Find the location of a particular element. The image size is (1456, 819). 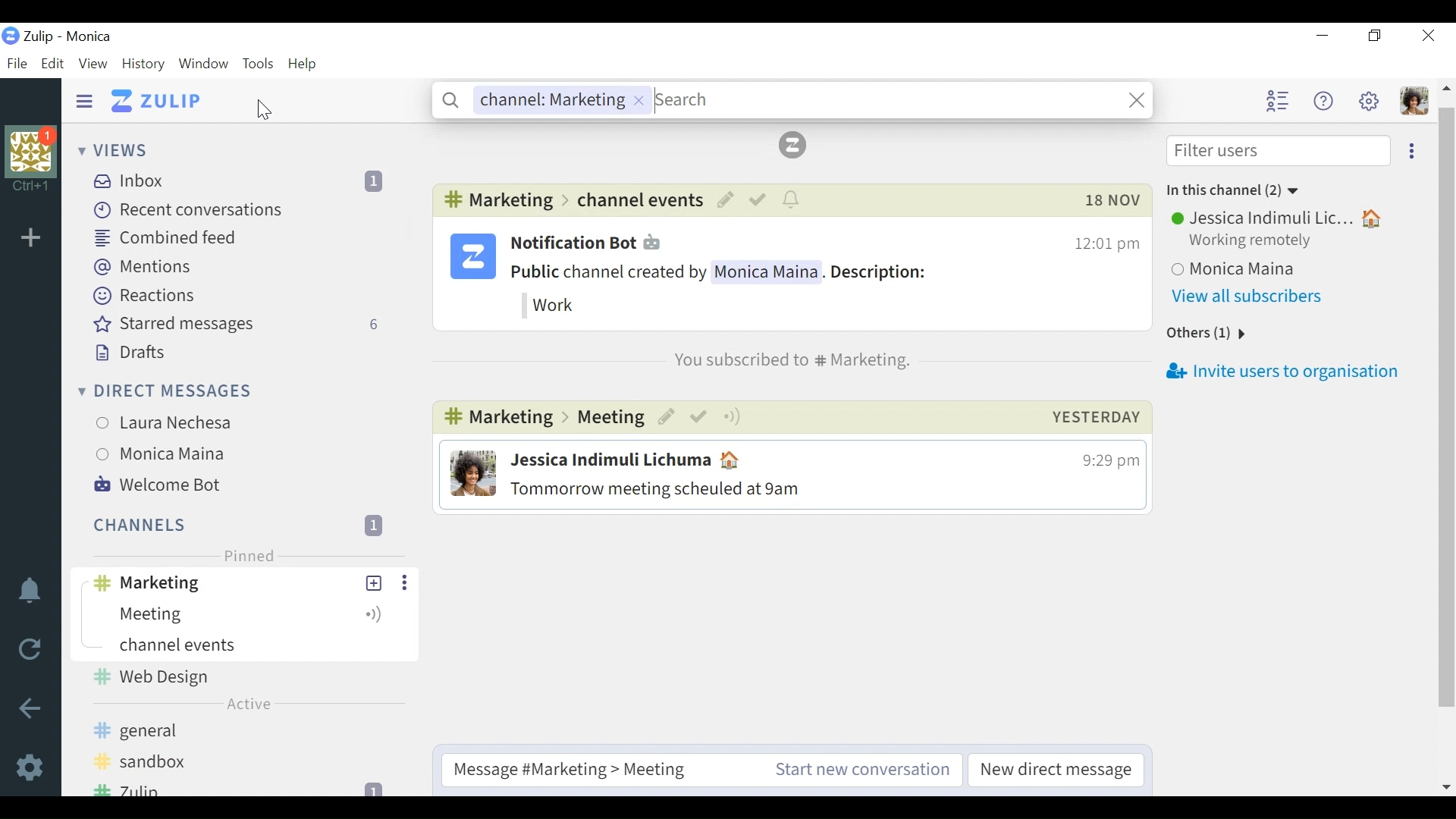

Direct messages dropdown is located at coordinates (162, 392).